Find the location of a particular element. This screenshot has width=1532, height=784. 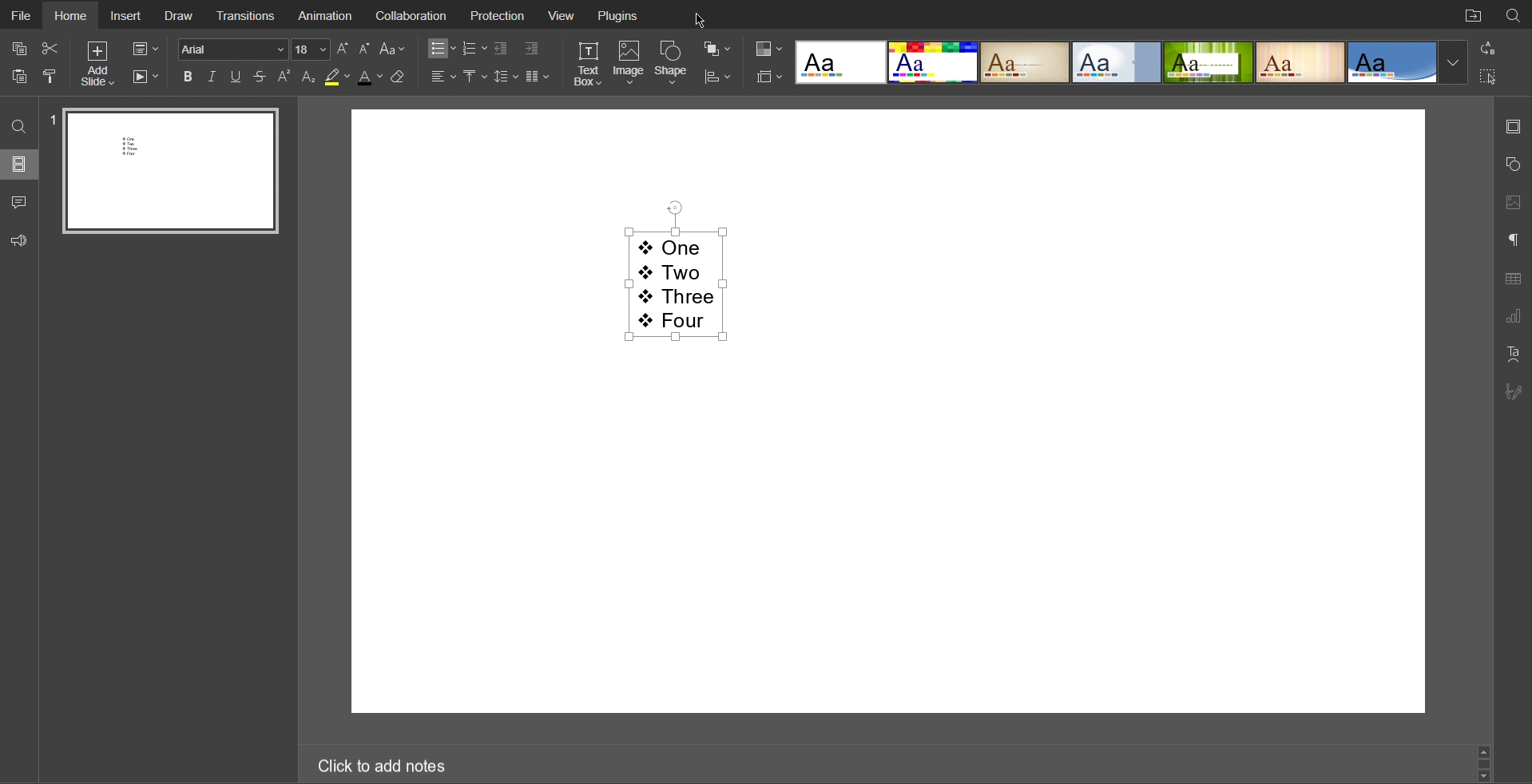

Highlight is located at coordinates (338, 77).